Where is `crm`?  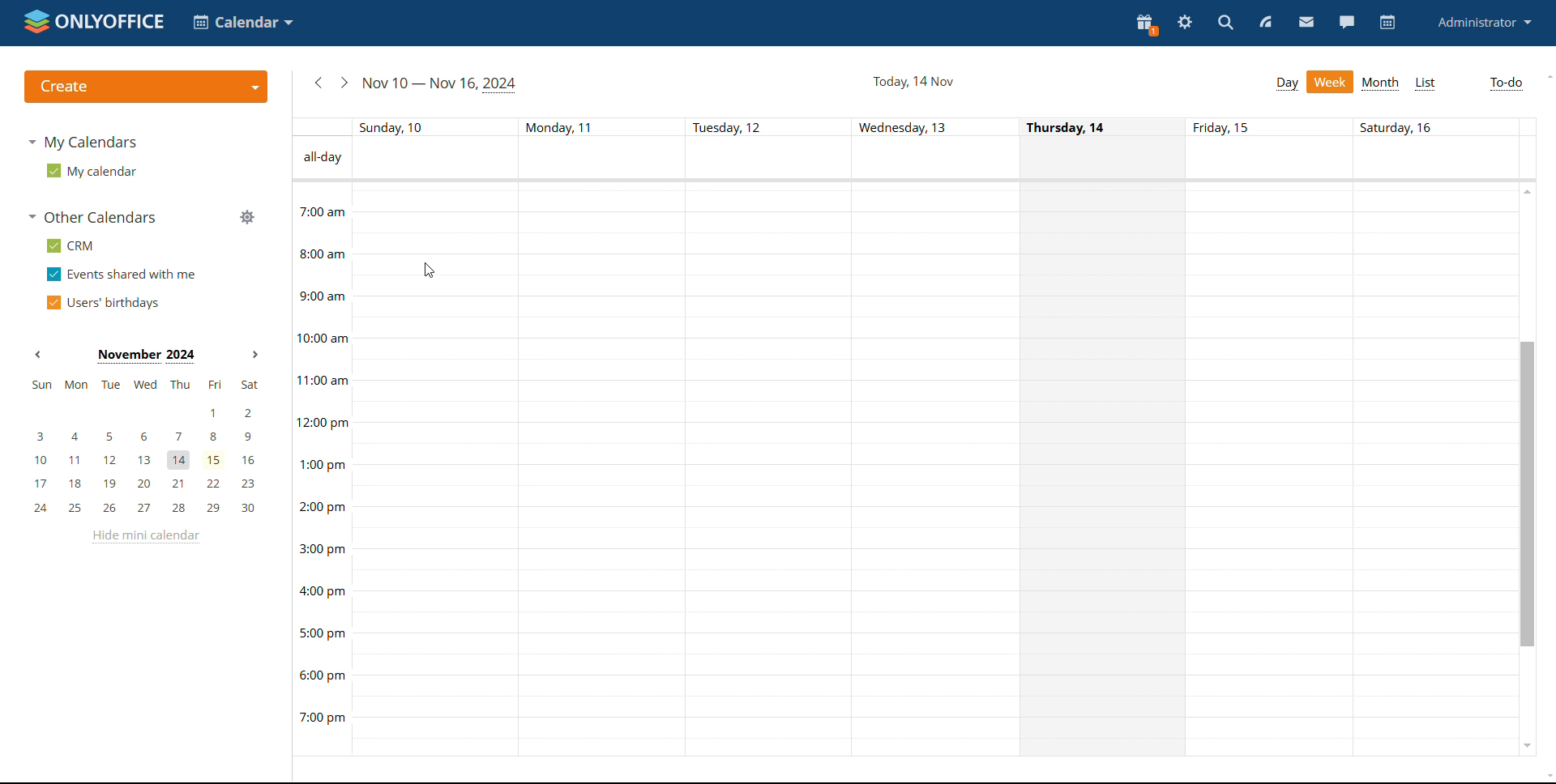
crm is located at coordinates (67, 245).